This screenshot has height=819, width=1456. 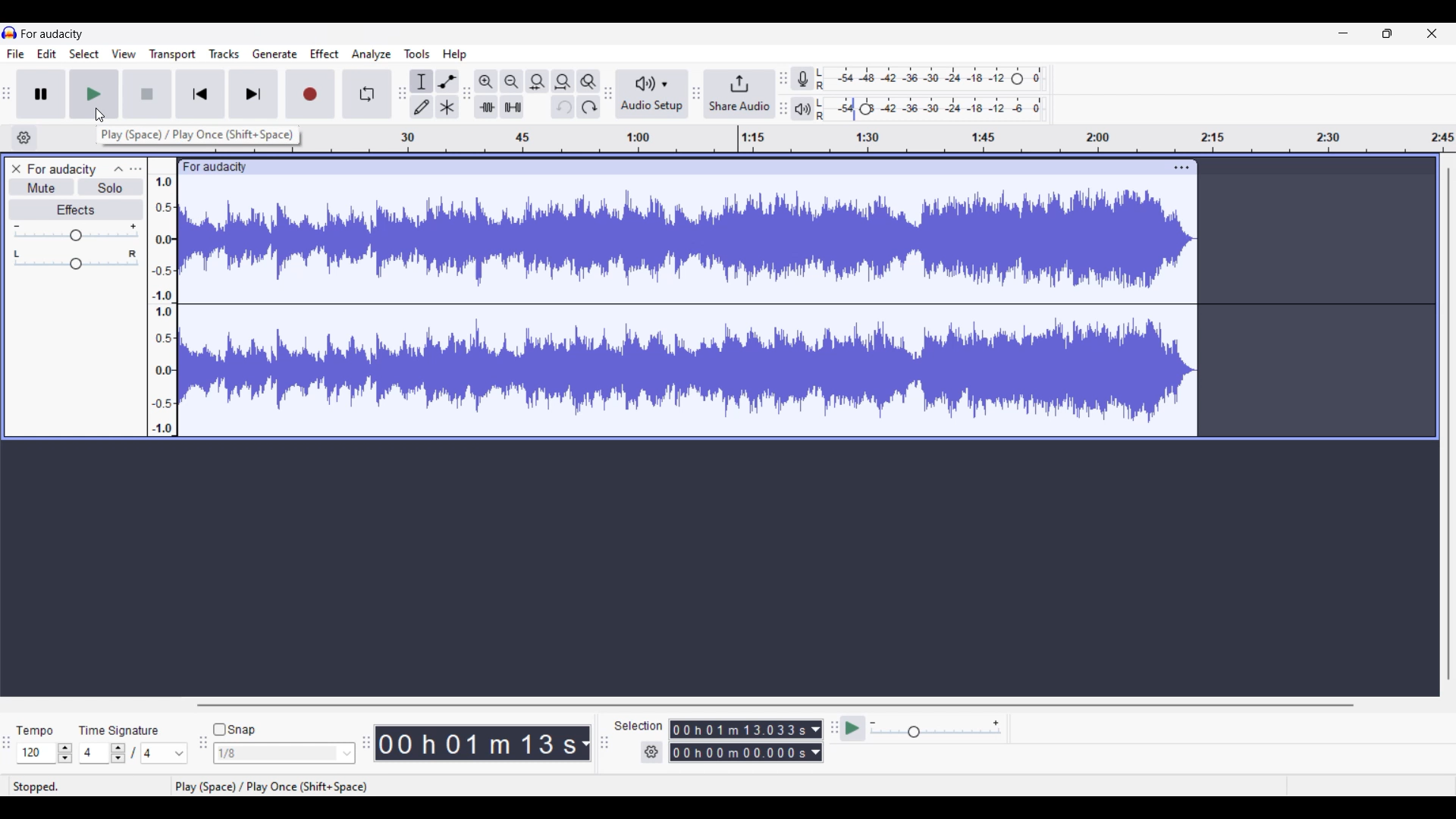 What do you see at coordinates (447, 82) in the screenshot?
I see `Envelop tool` at bounding box center [447, 82].